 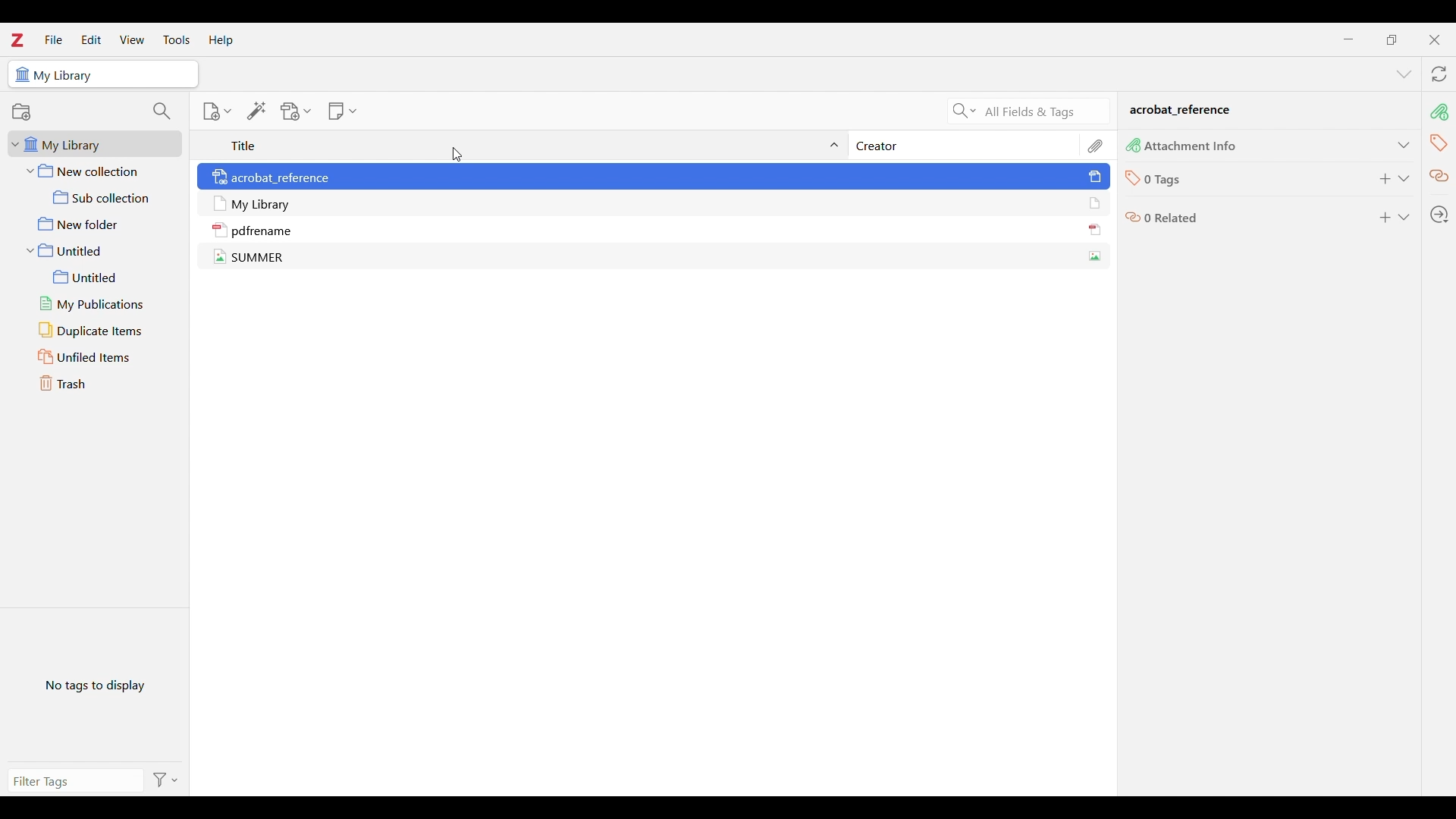 What do you see at coordinates (281, 177) in the screenshot?
I see `acrobat_reference` at bounding box center [281, 177].